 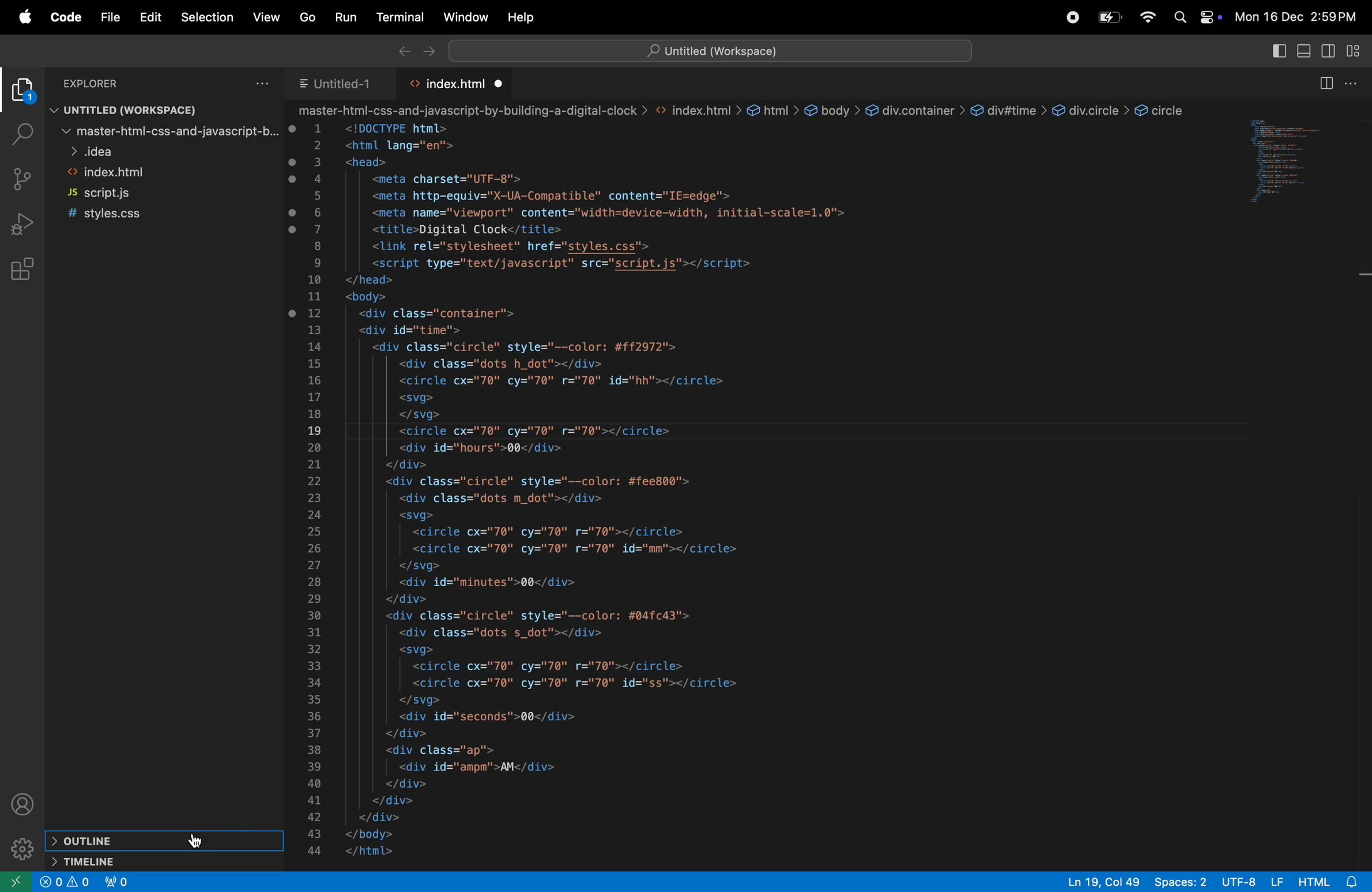 I want to click on index.html, so click(x=455, y=84).